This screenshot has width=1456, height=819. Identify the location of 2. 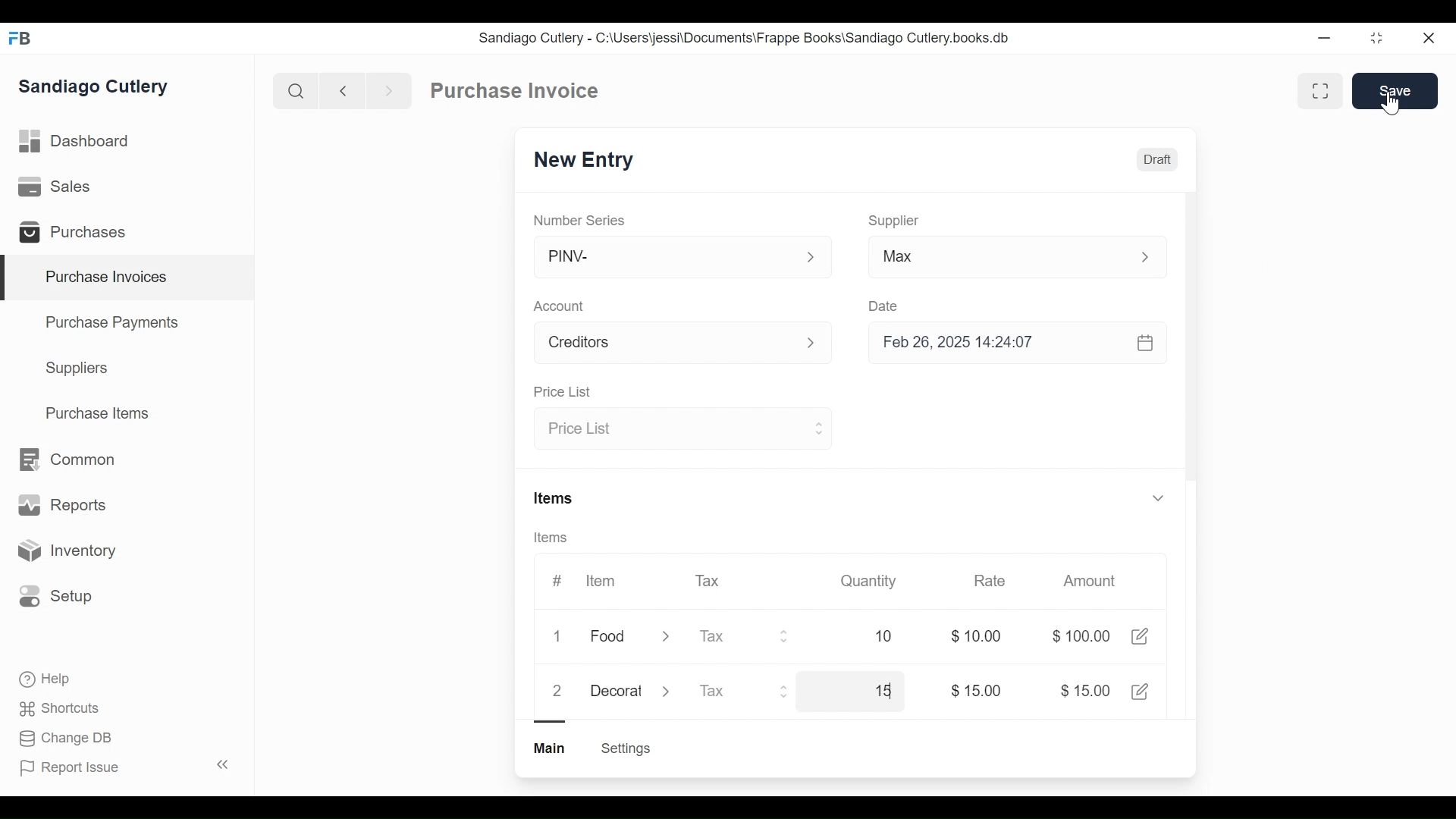
(557, 691).